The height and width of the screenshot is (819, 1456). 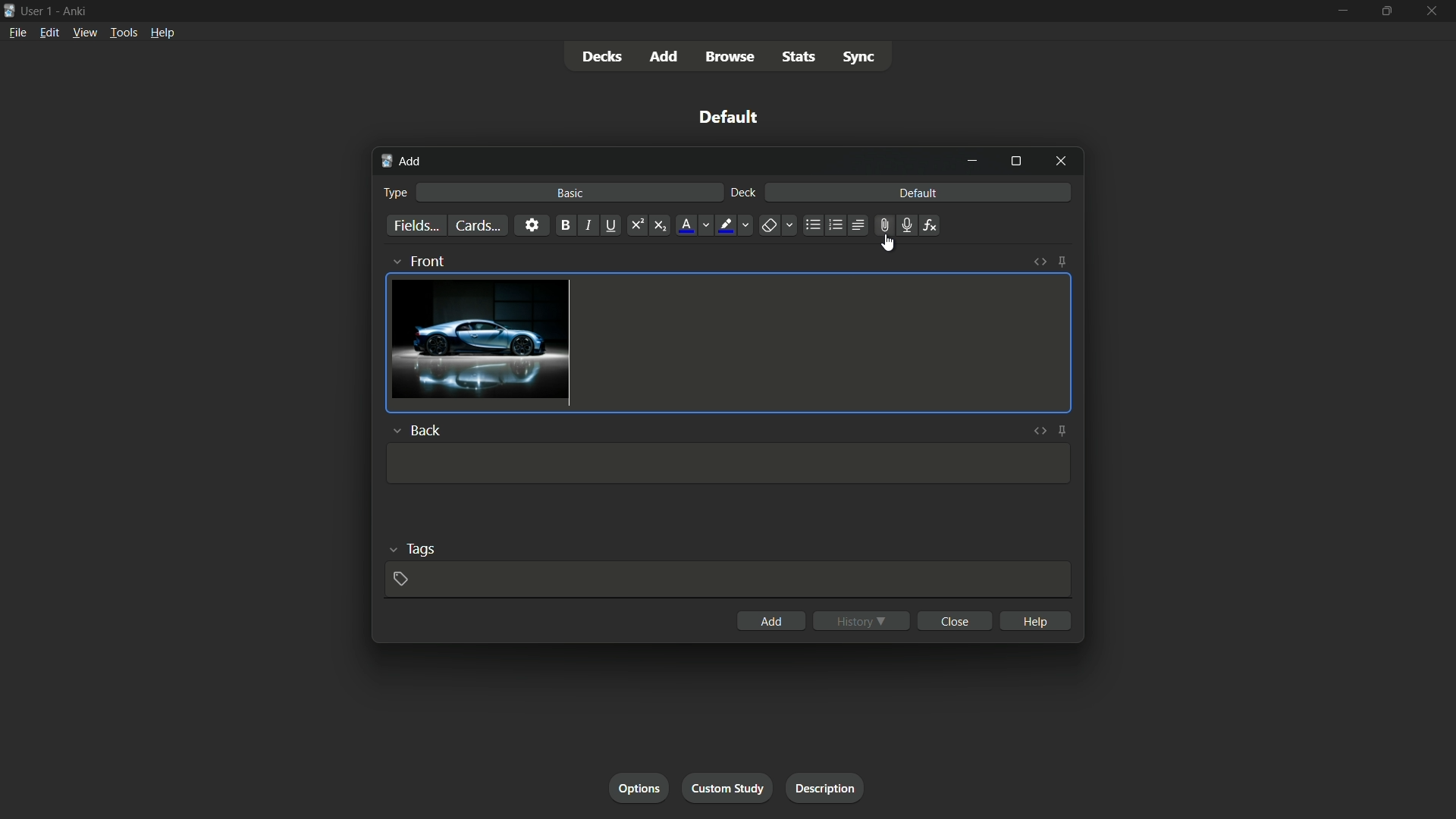 I want to click on help menu, so click(x=162, y=34).